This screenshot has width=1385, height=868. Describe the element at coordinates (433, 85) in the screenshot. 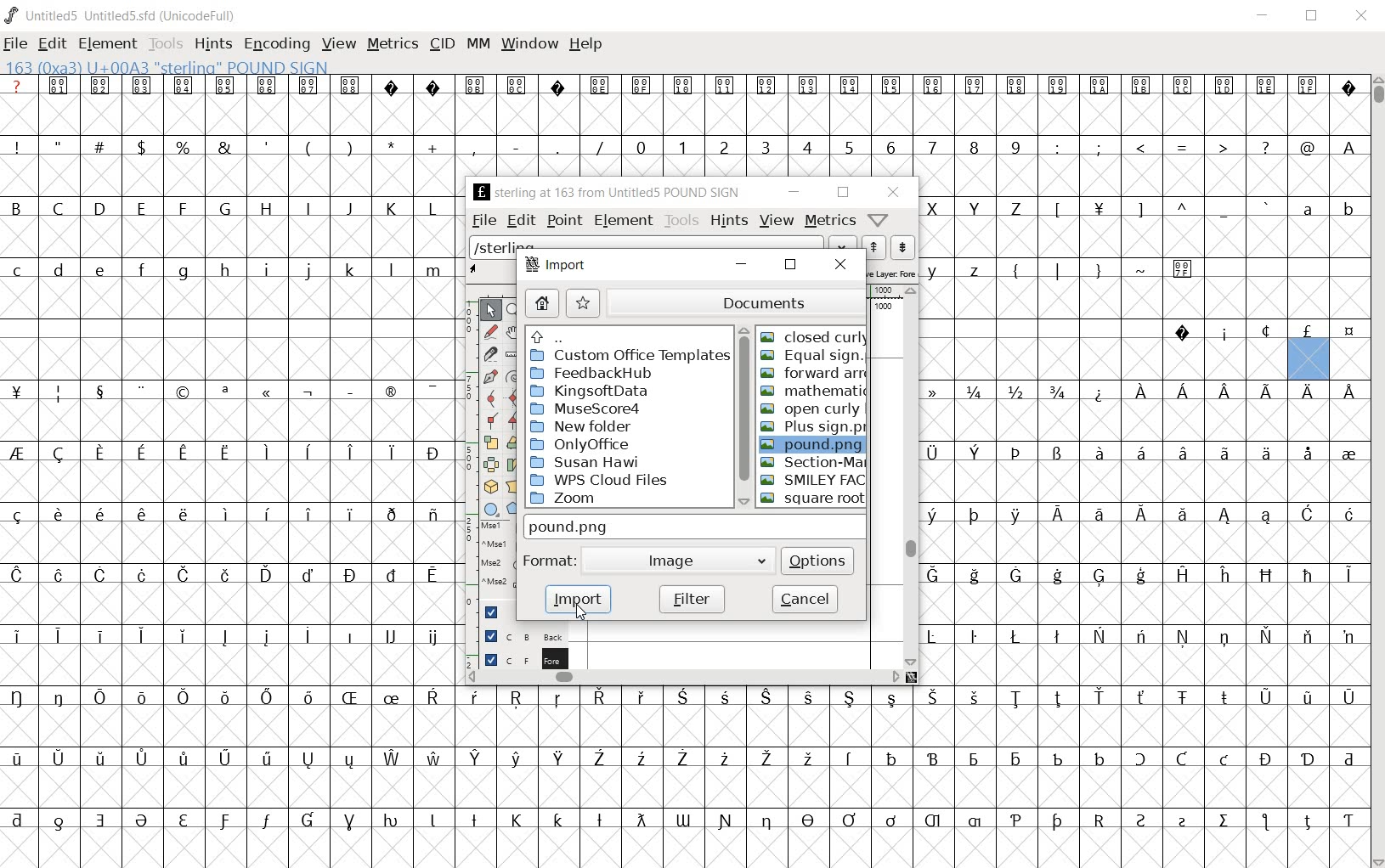

I see `Symbol` at that location.